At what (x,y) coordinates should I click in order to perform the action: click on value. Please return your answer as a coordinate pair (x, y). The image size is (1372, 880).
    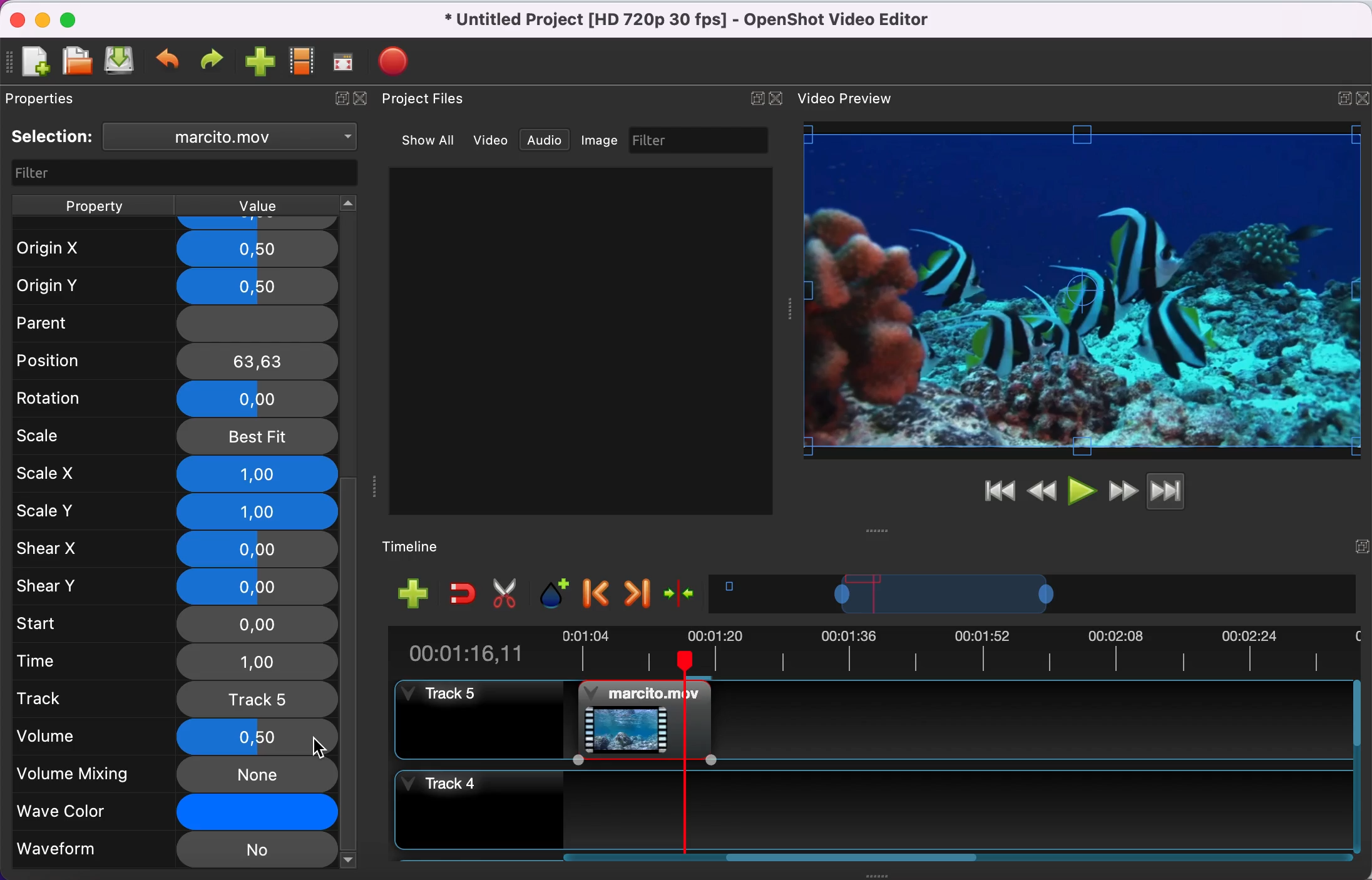
    Looking at the image, I should click on (273, 205).